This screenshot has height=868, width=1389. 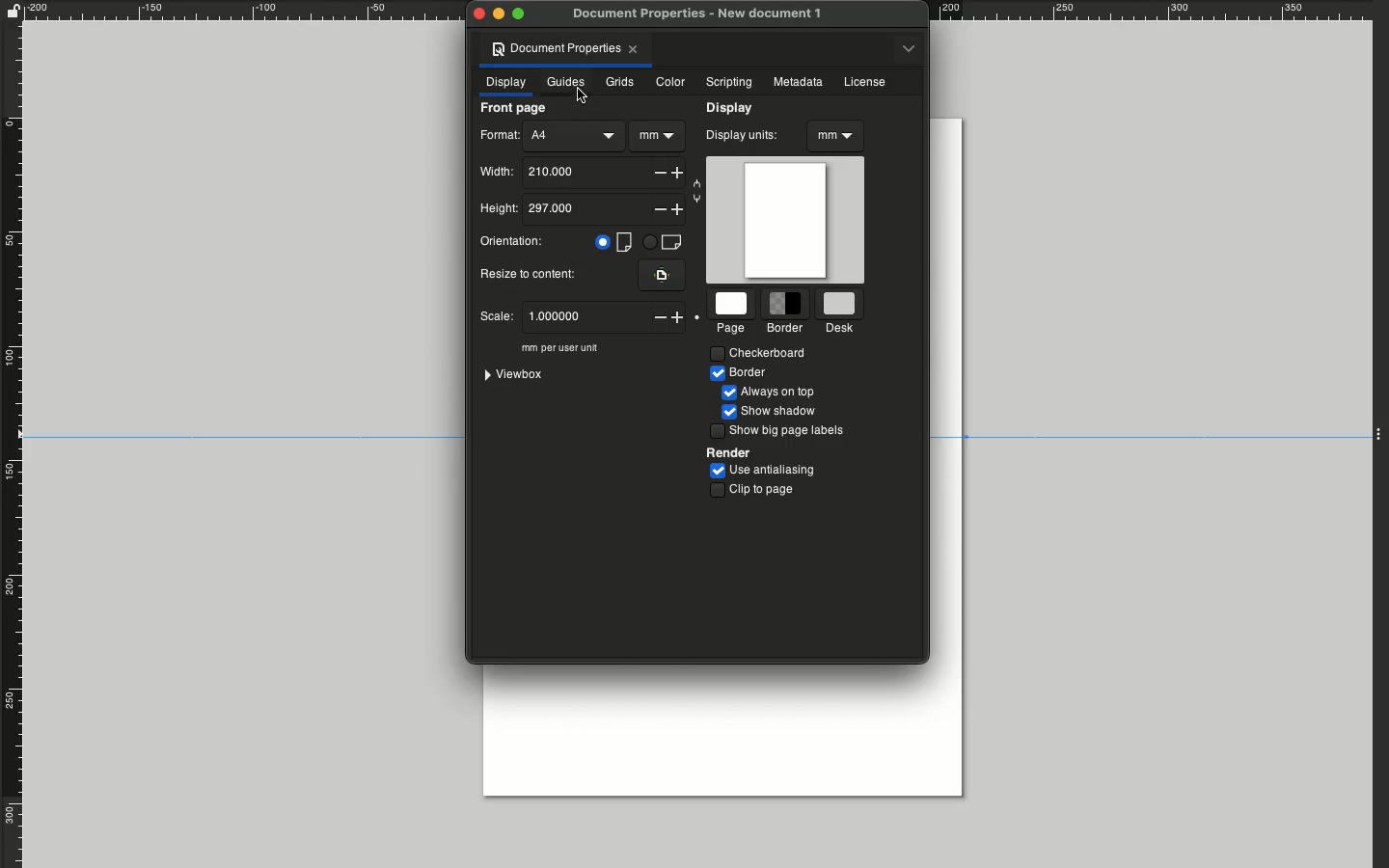 What do you see at coordinates (613, 241) in the screenshot?
I see `Portrait` at bounding box center [613, 241].